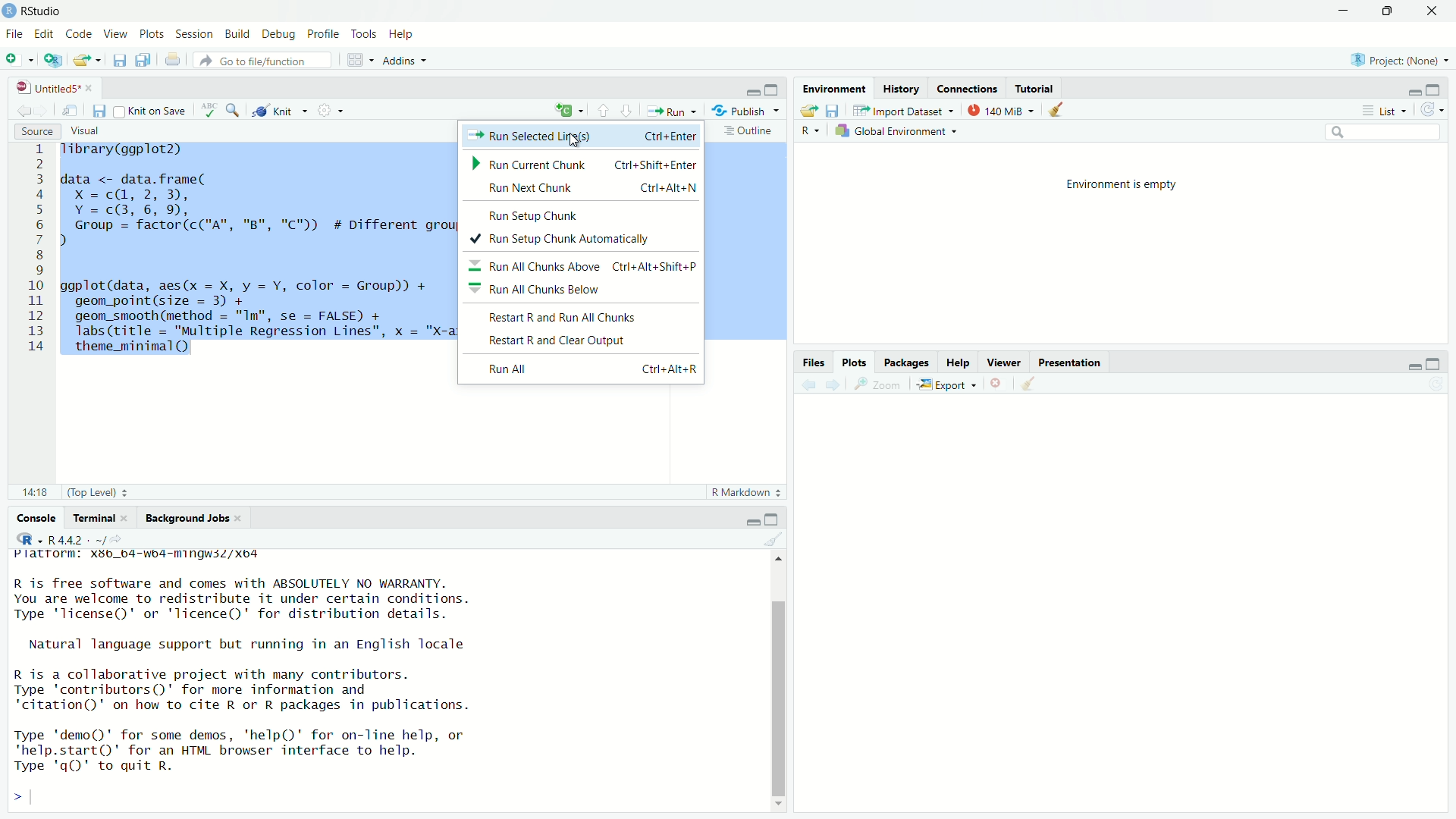  What do you see at coordinates (553, 289) in the screenshot?
I see `Run All Chunks Below` at bounding box center [553, 289].